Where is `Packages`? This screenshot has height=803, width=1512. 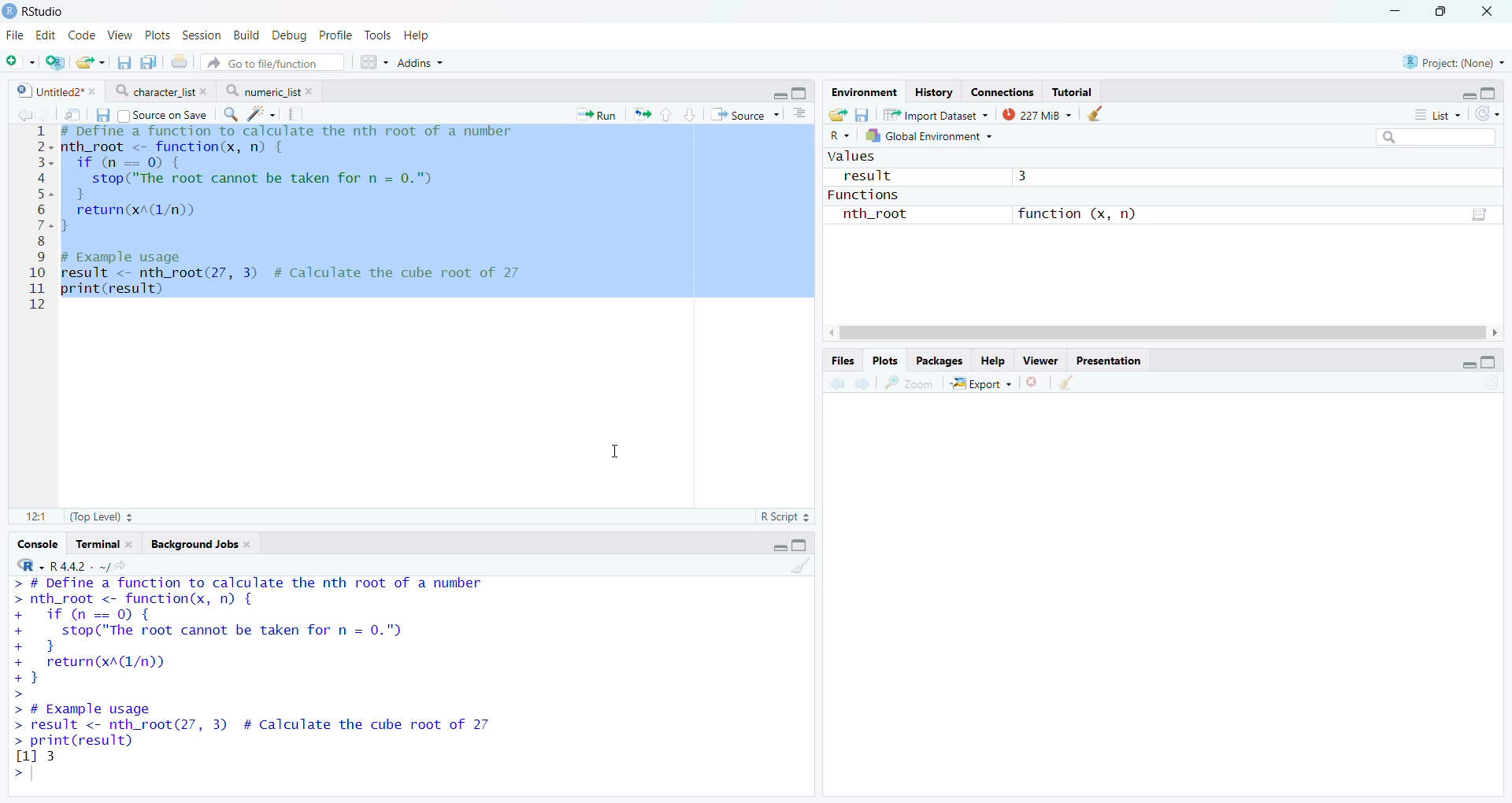
Packages is located at coordinates (941, 361).